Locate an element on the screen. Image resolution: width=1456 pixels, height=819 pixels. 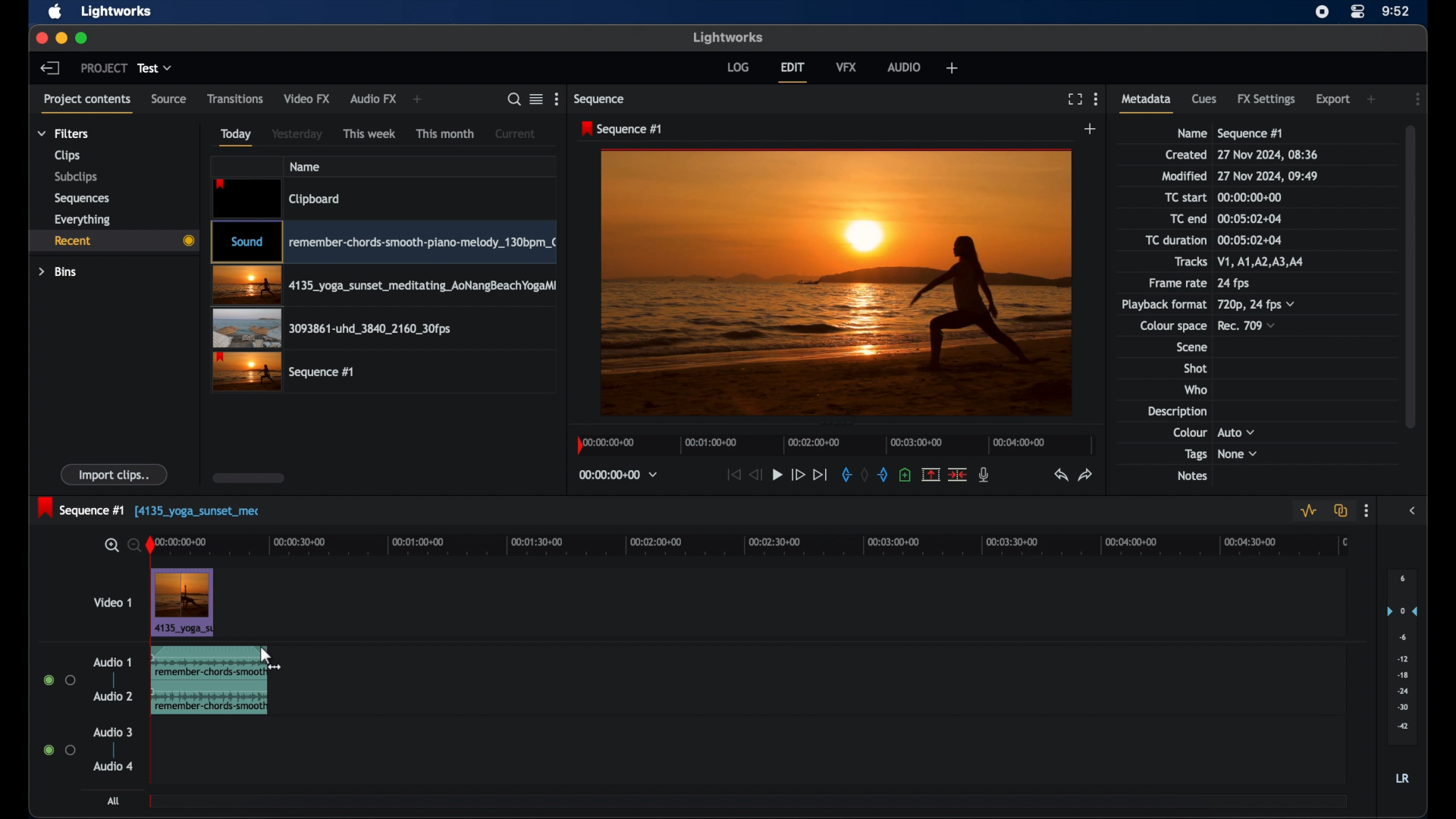
in mark is located at coordinates (845, 474).